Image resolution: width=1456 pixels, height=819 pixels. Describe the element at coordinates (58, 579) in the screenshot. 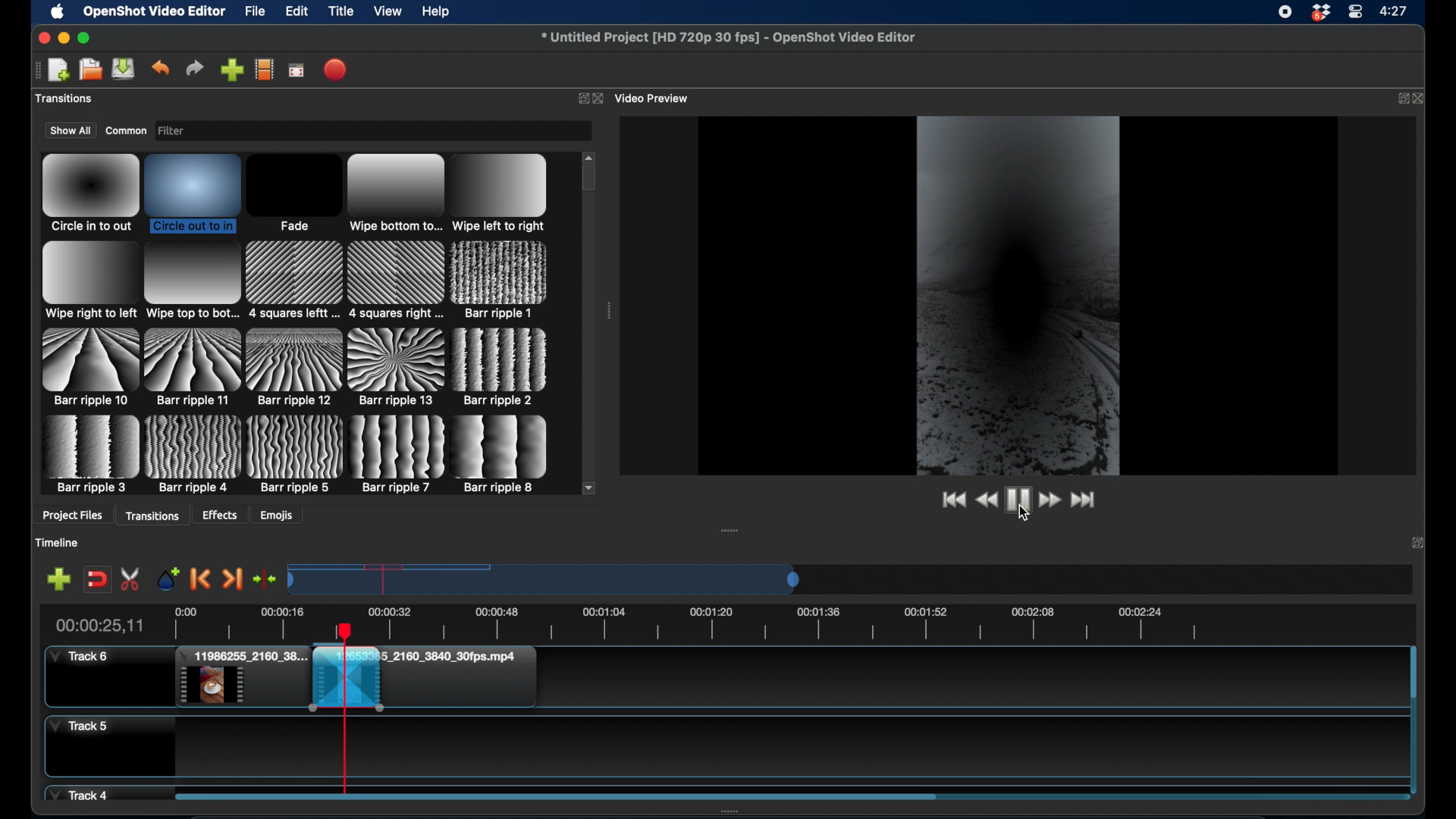

I see `add marker` at that location.